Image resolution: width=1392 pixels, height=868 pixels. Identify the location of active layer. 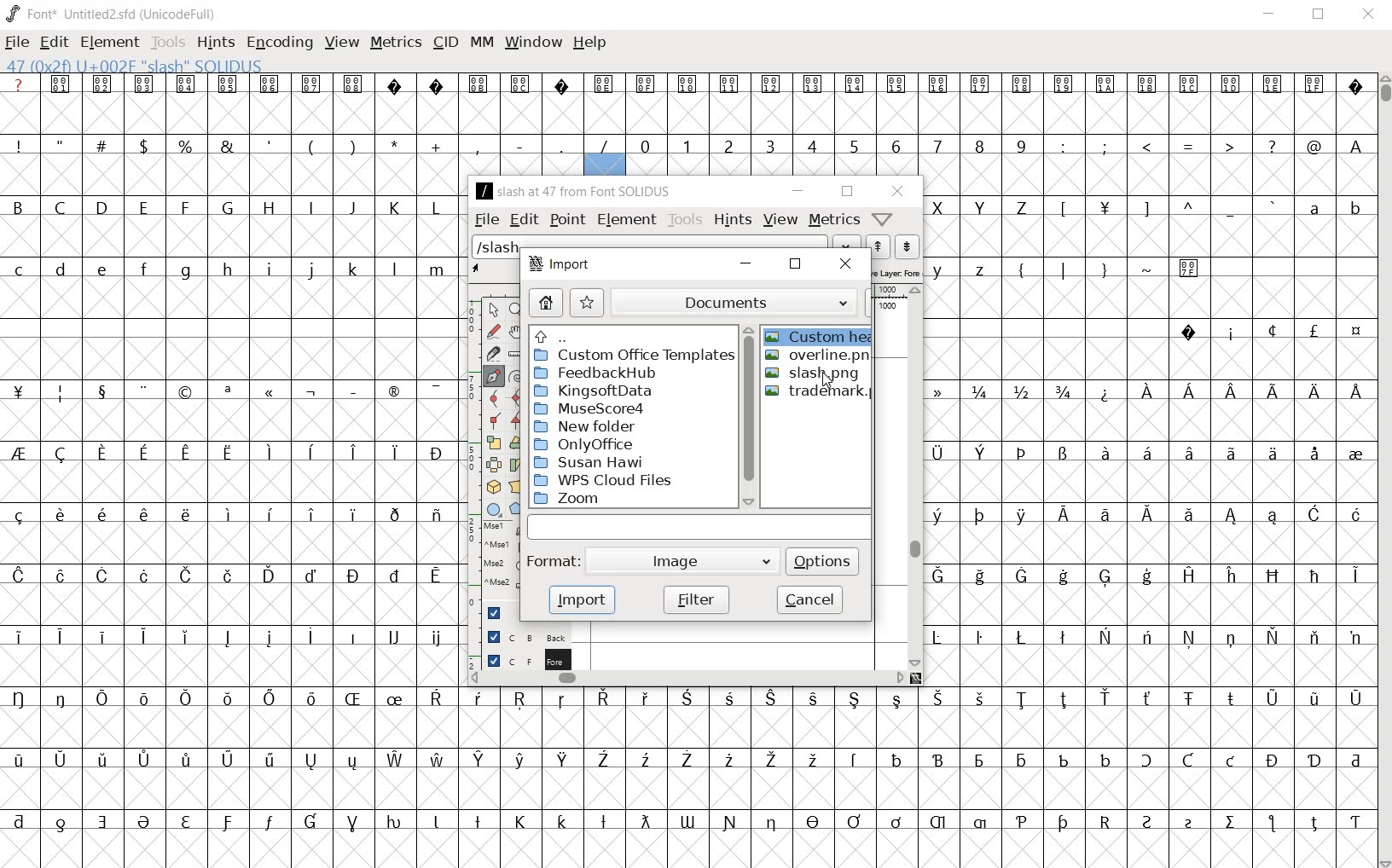
(897, 271).